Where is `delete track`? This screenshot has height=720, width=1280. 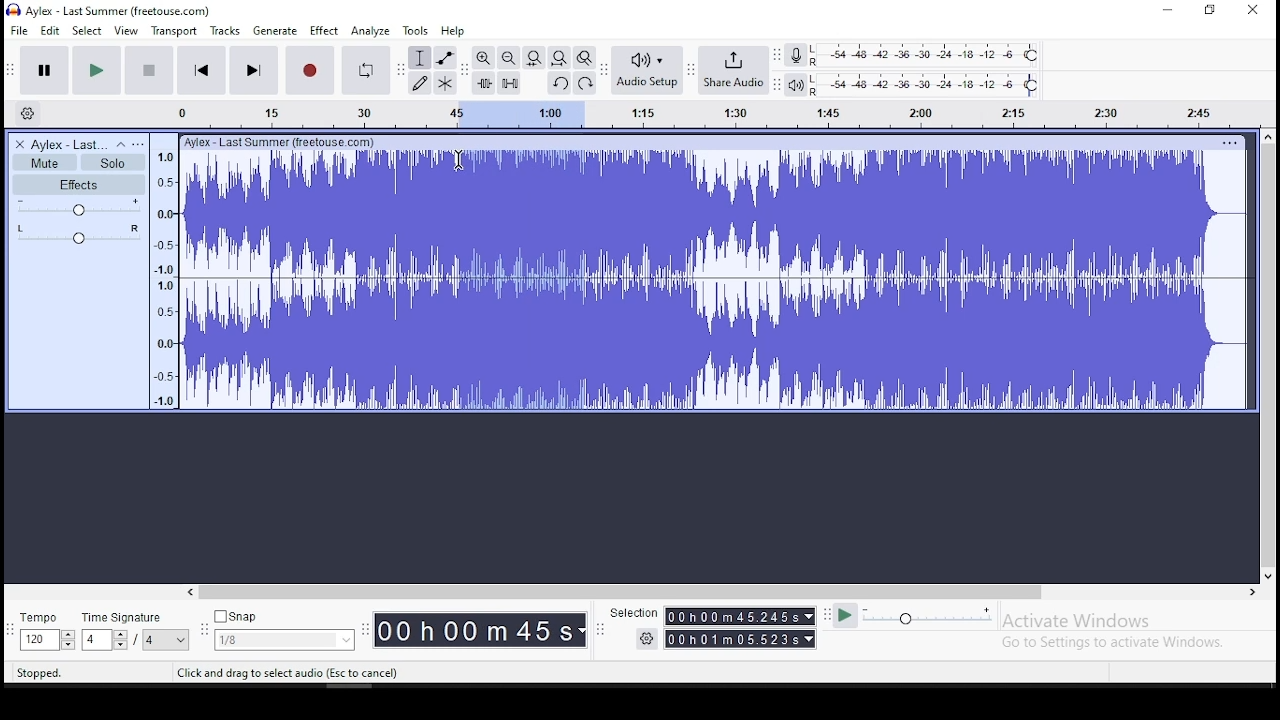 delete track is located at coordinates (19, 144).